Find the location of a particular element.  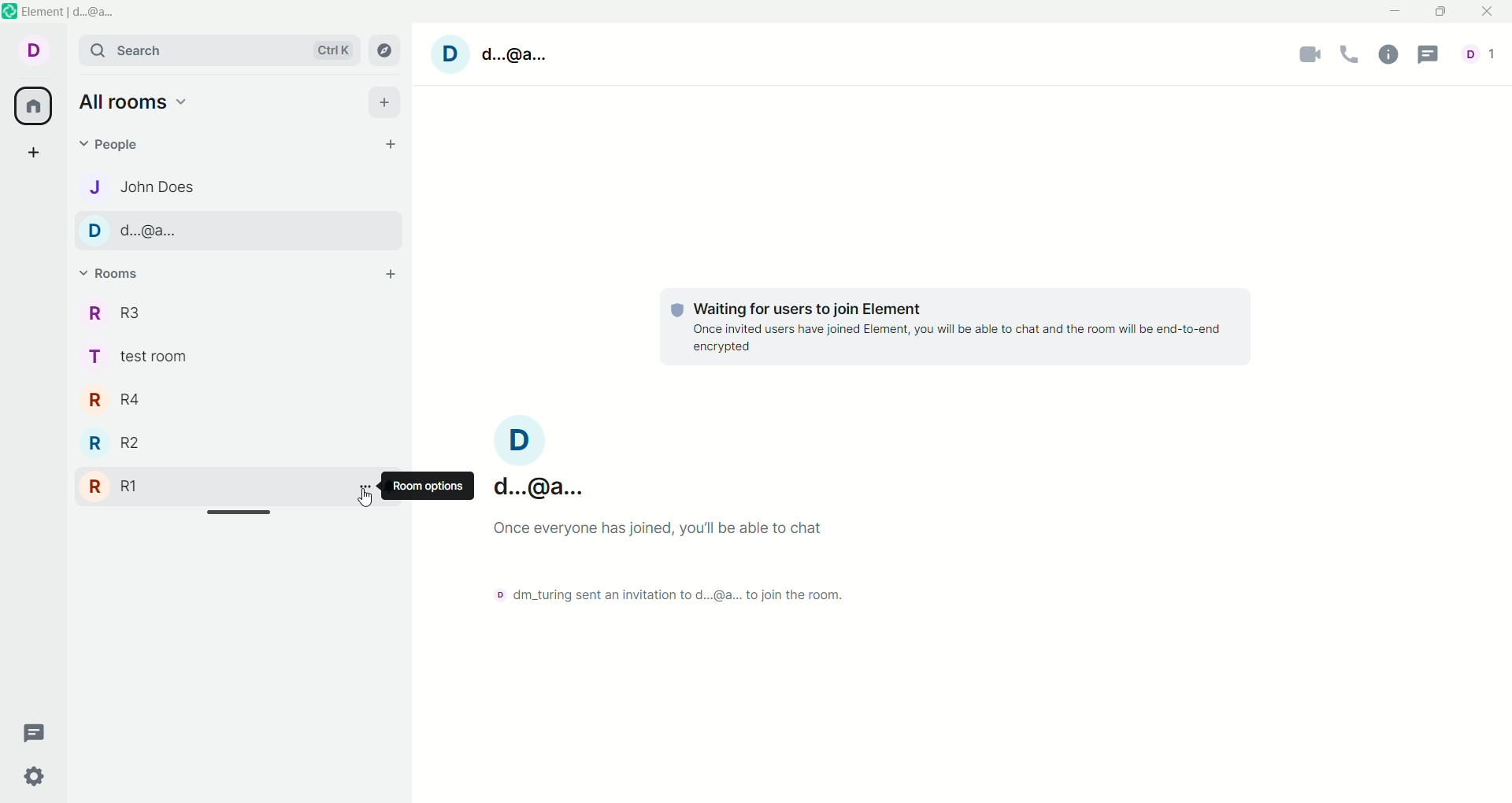

search is located at coordinates (220, 52).